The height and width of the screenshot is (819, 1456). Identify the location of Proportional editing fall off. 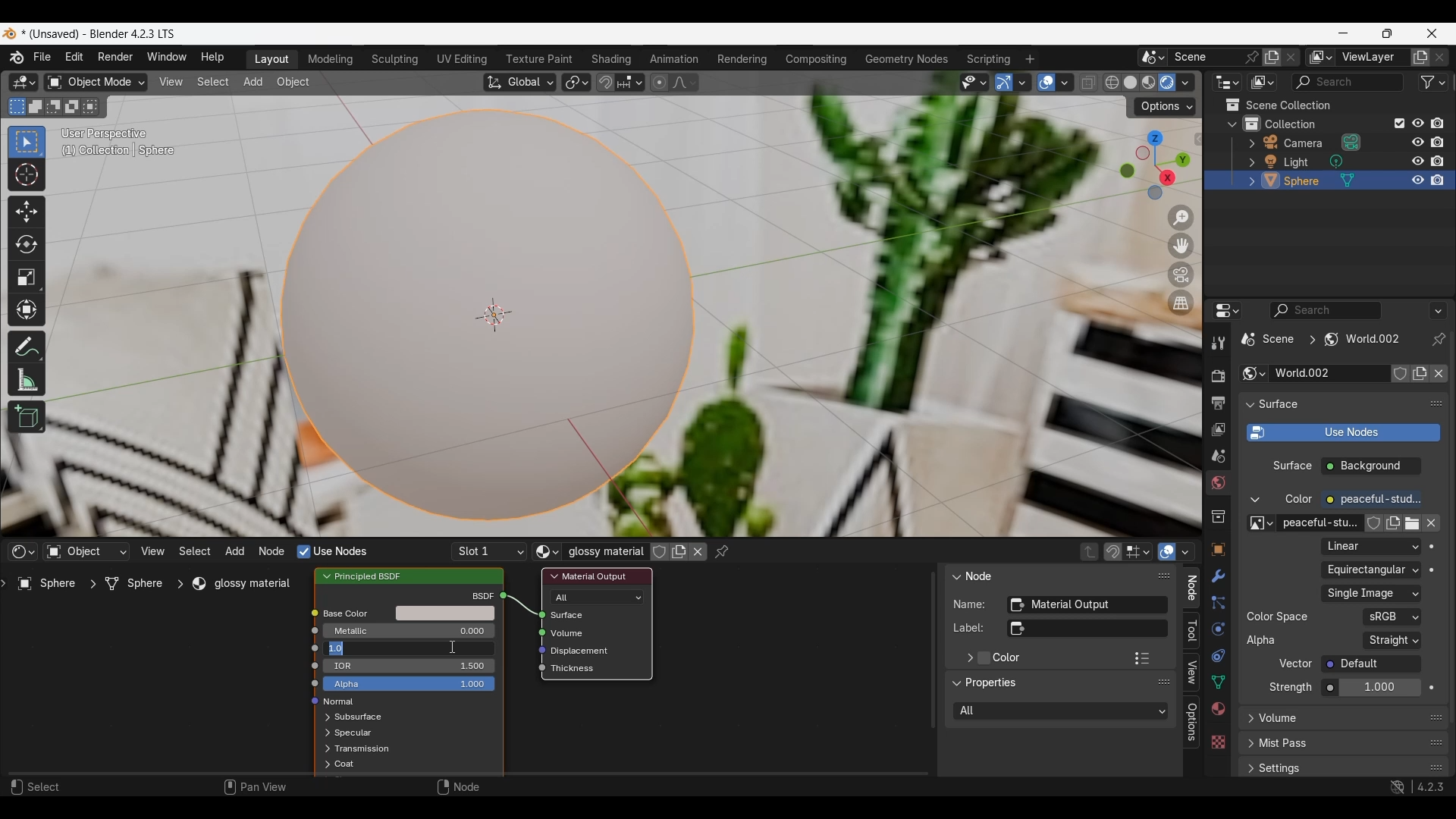
(683, 83).